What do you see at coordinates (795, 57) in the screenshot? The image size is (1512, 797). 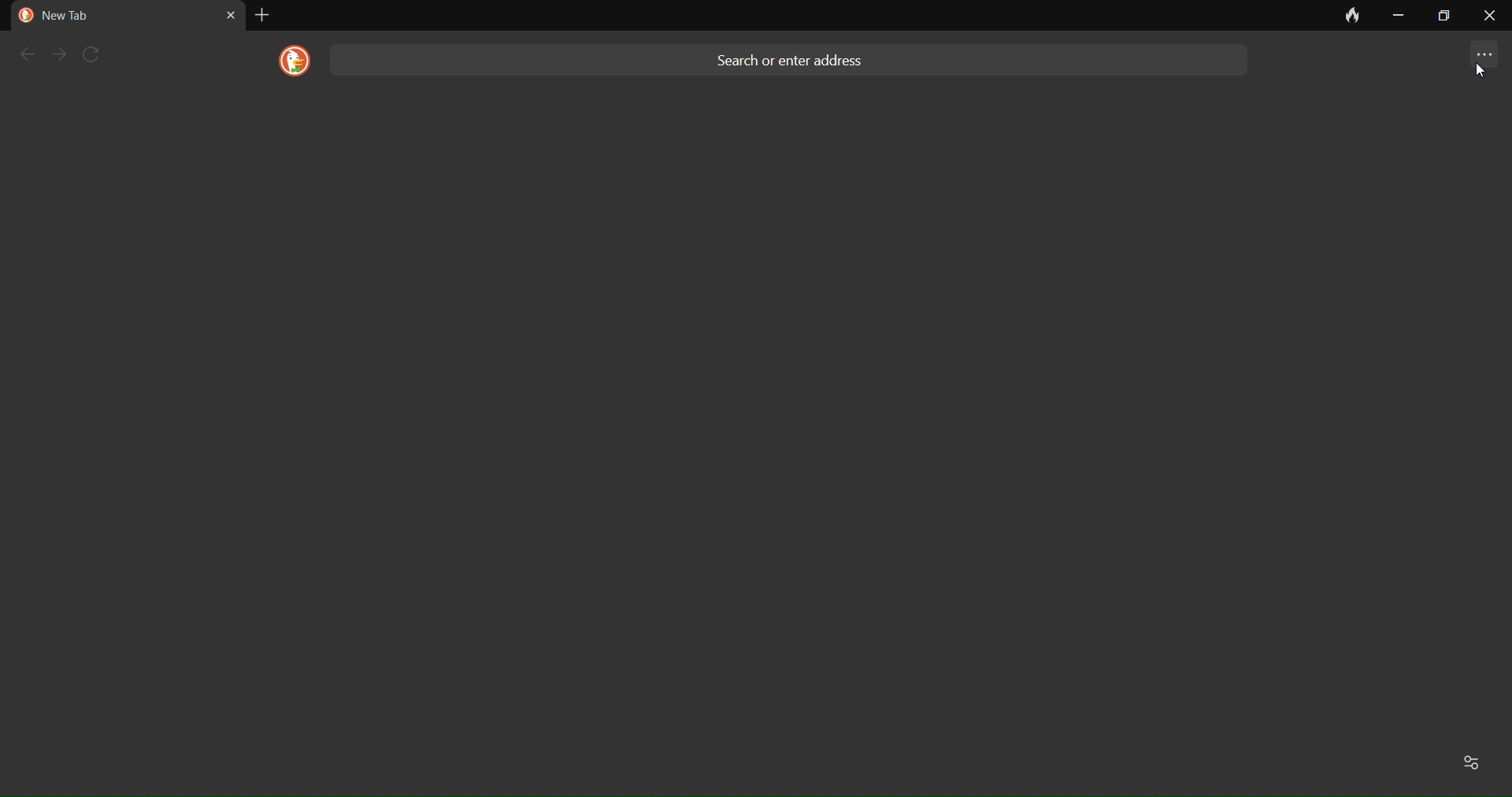 I see `search or enter address` at bounding box center [795, 57].